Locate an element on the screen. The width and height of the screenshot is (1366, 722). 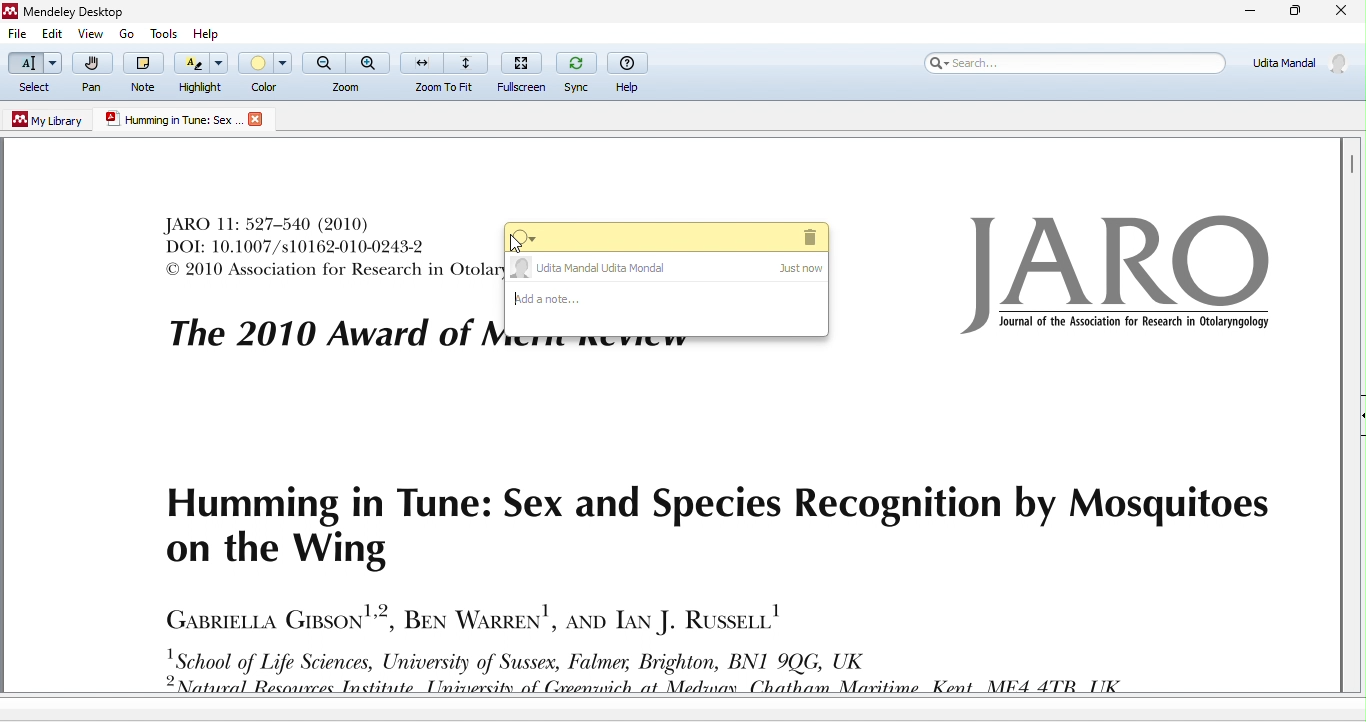
add a note is located at coordinates (670, 312).